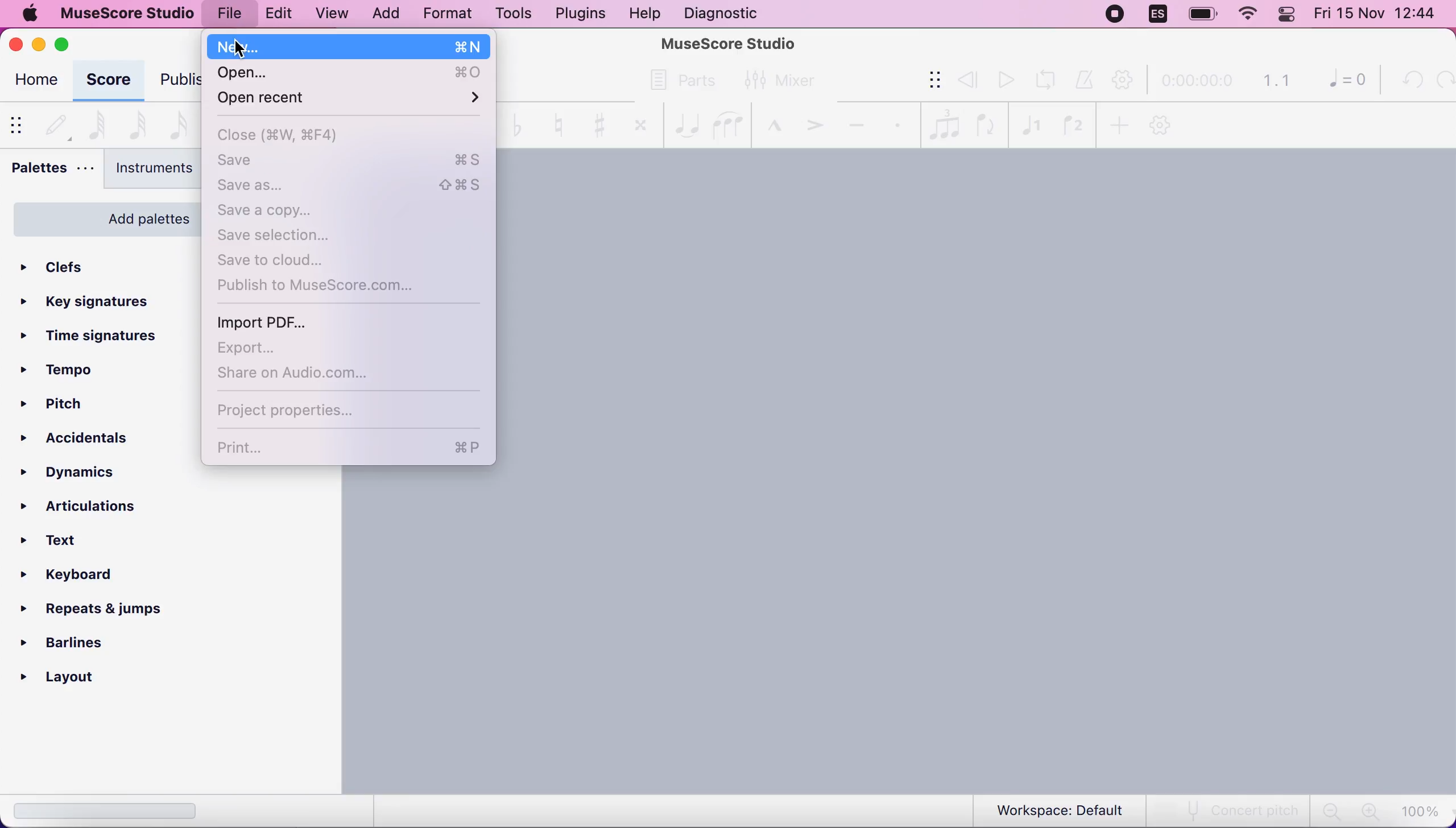  Describe the element at coordinates (552, 125) in the screenshot. I see `toggle natural` at that location.